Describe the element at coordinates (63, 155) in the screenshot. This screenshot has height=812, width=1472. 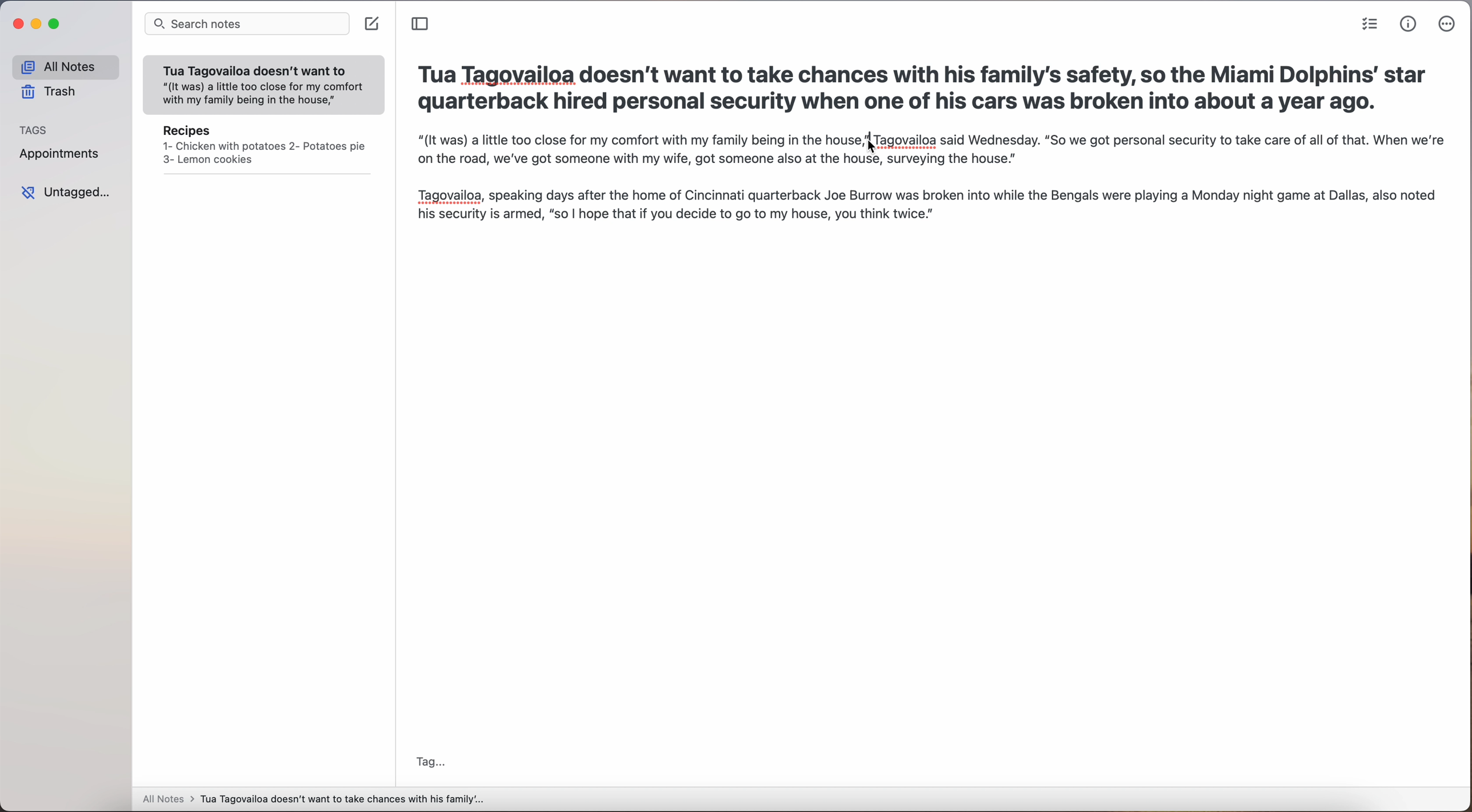
I see `appointments` at that location.